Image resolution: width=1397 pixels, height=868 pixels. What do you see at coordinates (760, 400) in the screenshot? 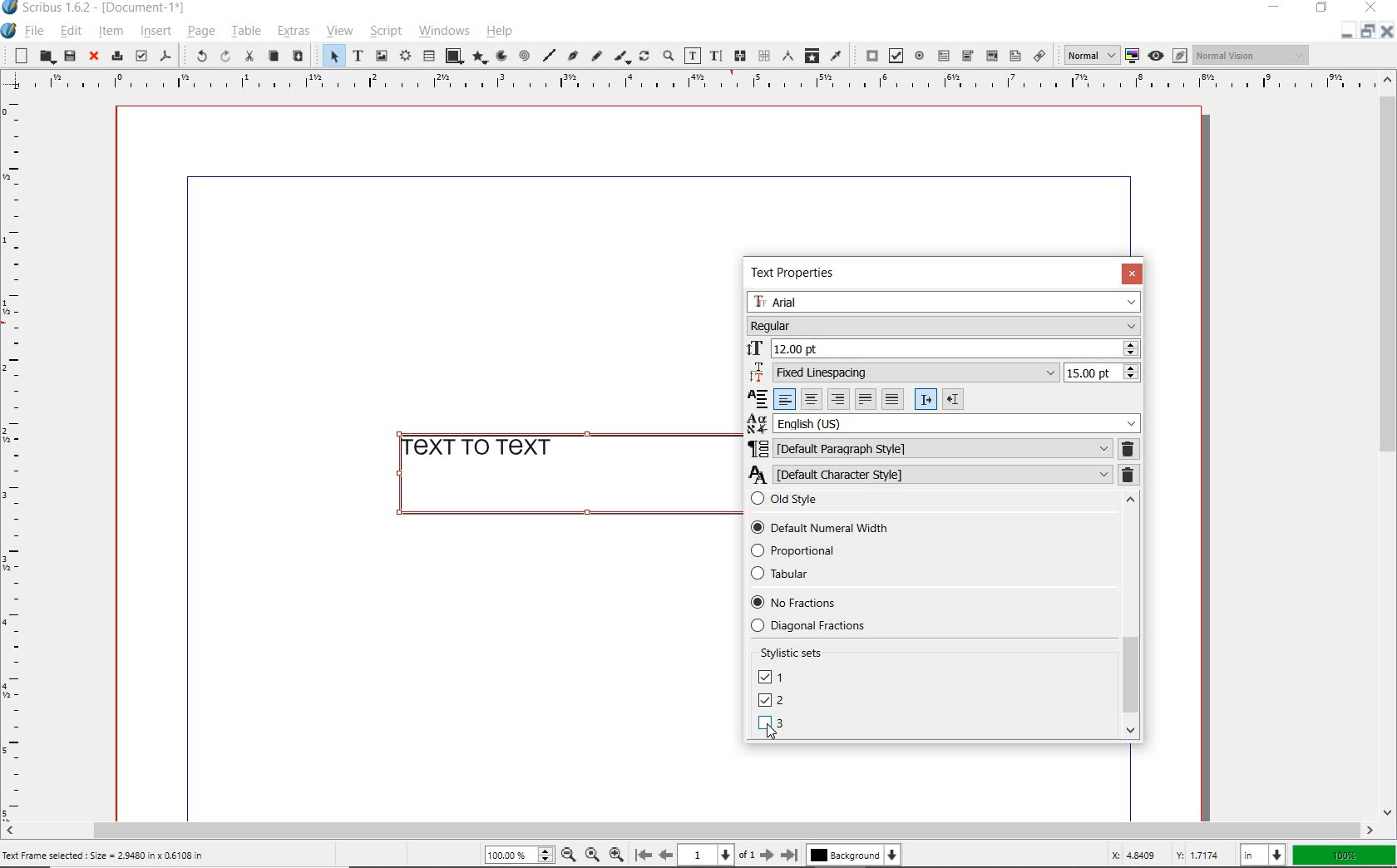
I see `Alignment` at bounding box center [760, 400].